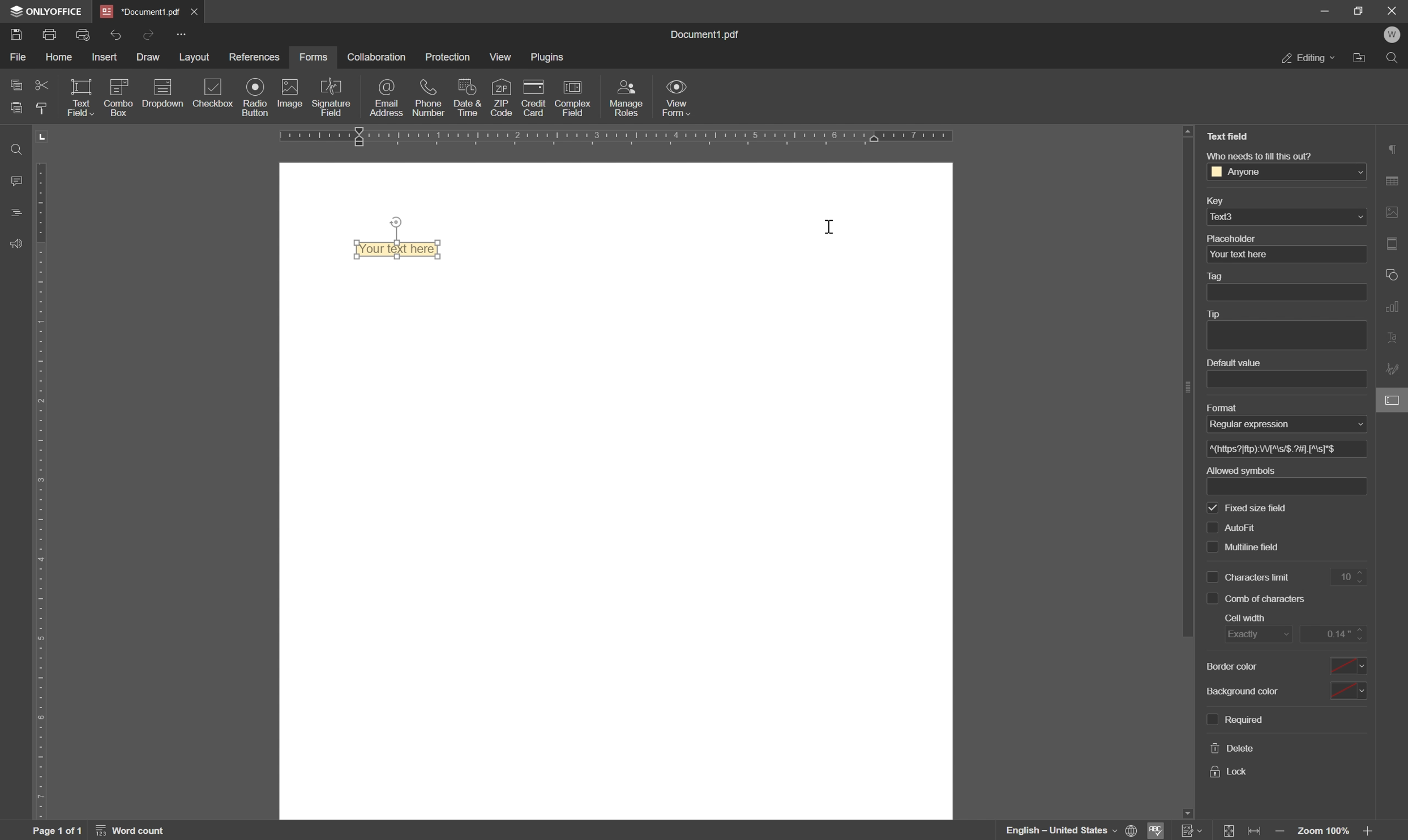  I want to click on track changes, so click(1192, 831).